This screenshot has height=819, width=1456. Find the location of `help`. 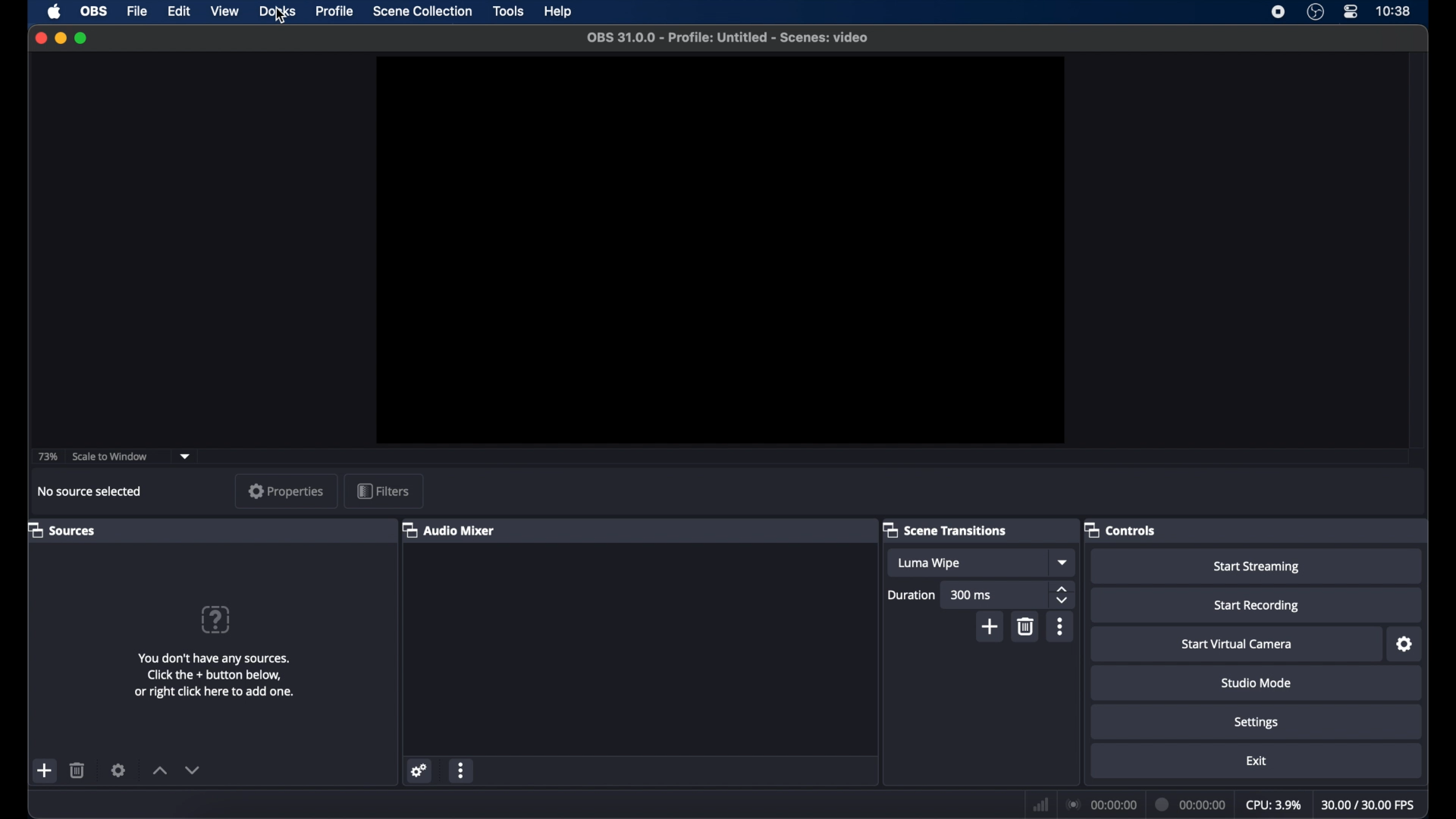

help is located at coordinates (217, 620).